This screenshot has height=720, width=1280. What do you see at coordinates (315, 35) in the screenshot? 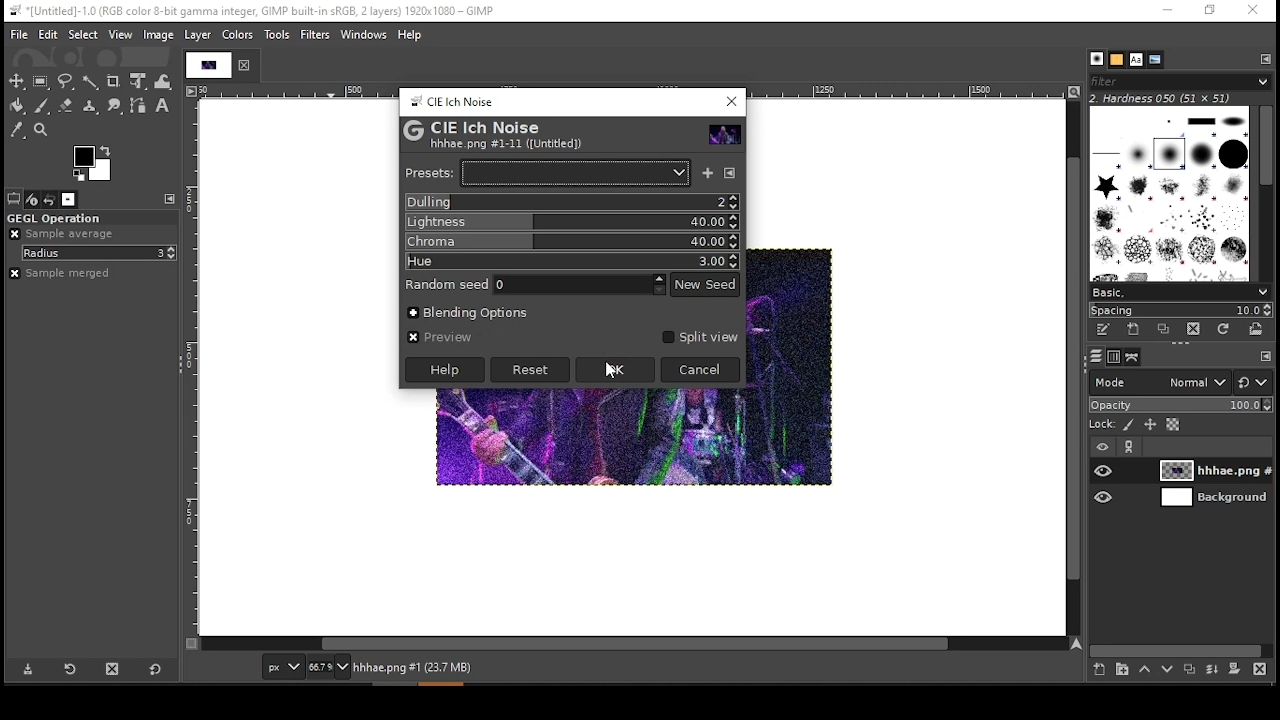
I see `filter` at bounding box center [315, 35].